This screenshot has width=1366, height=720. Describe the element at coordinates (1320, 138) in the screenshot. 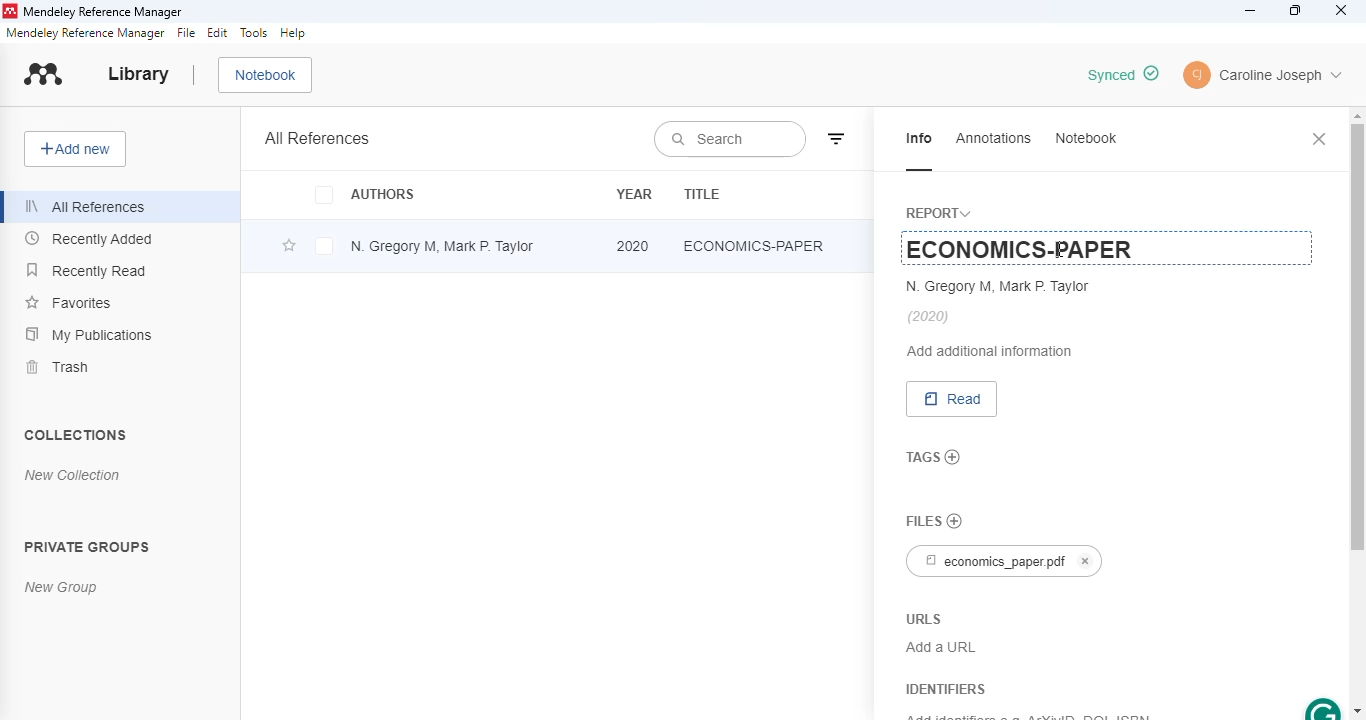

I see `close` at that location.